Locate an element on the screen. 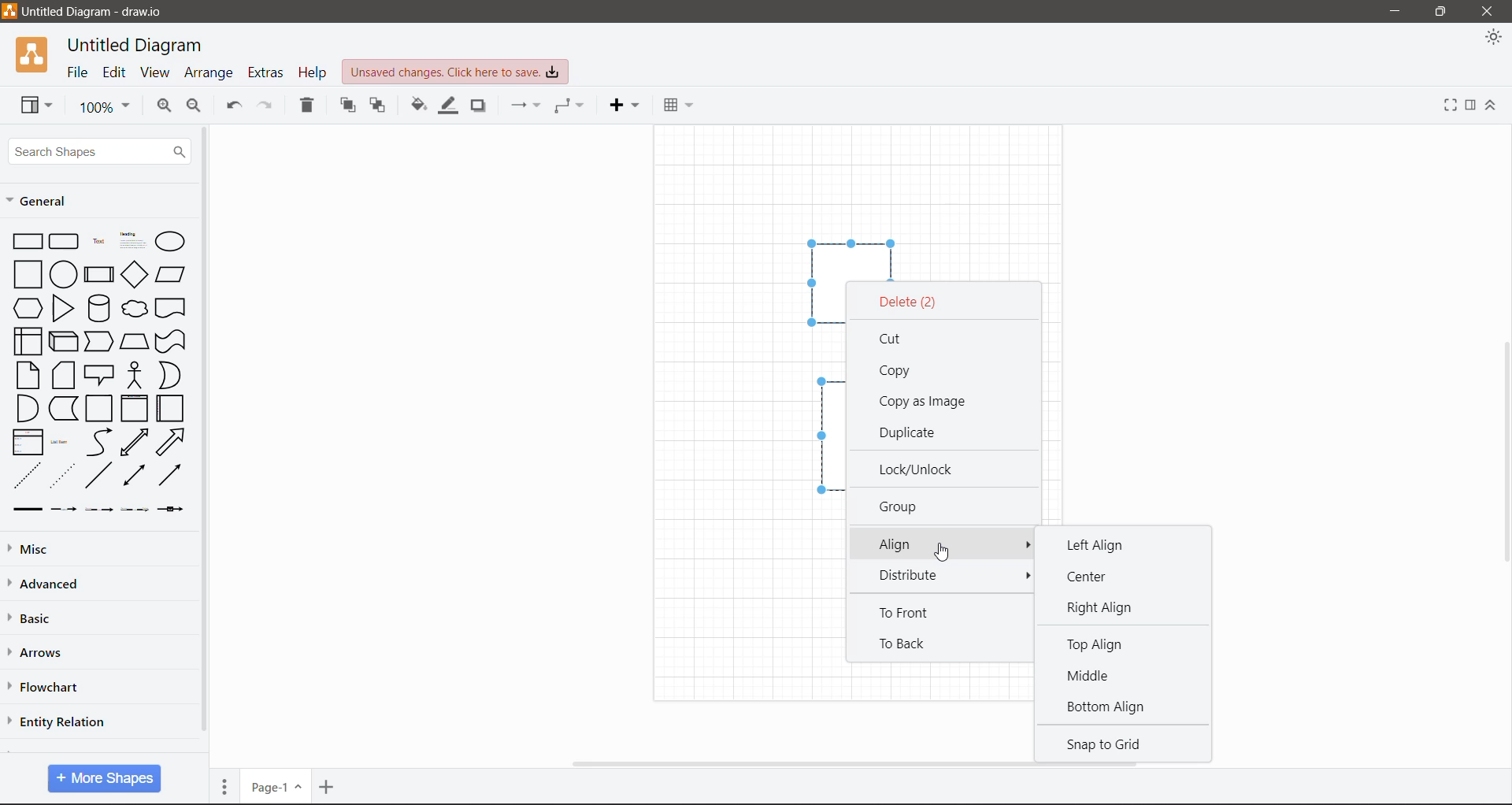  Top Align is located at coordinates (1098, 647).